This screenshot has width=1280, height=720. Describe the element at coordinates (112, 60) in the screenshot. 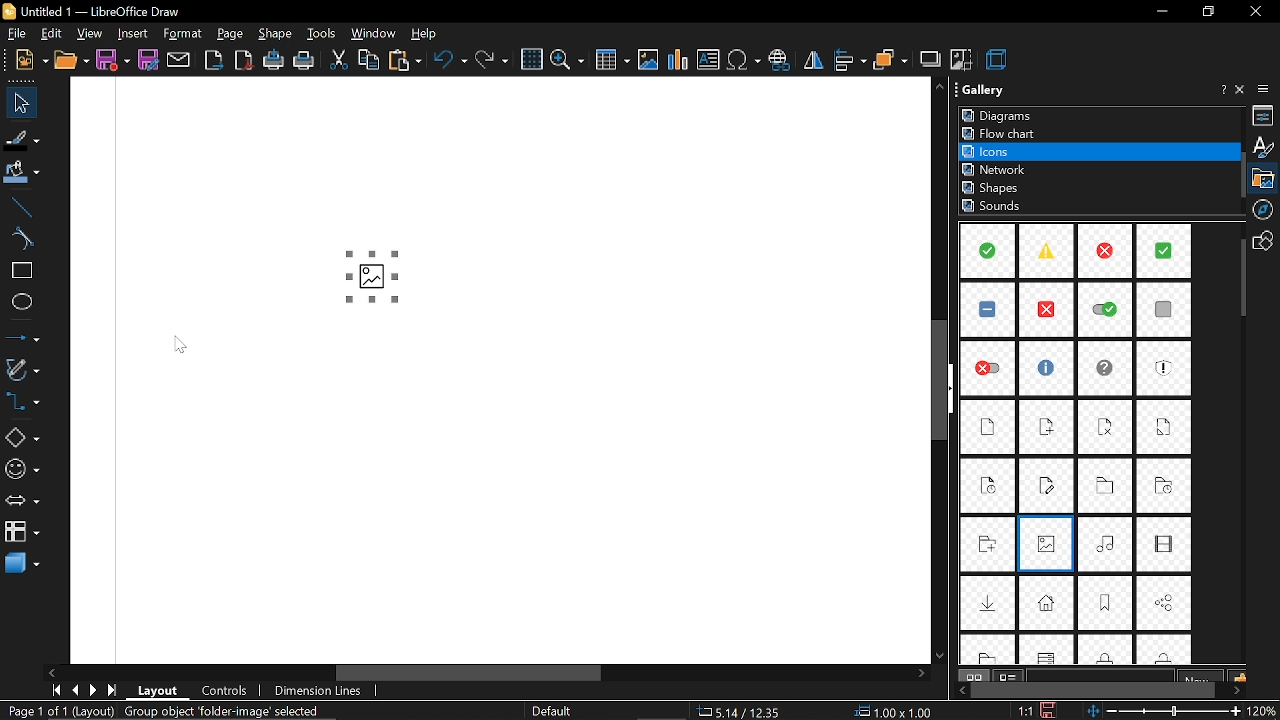

I see `save` at that location.